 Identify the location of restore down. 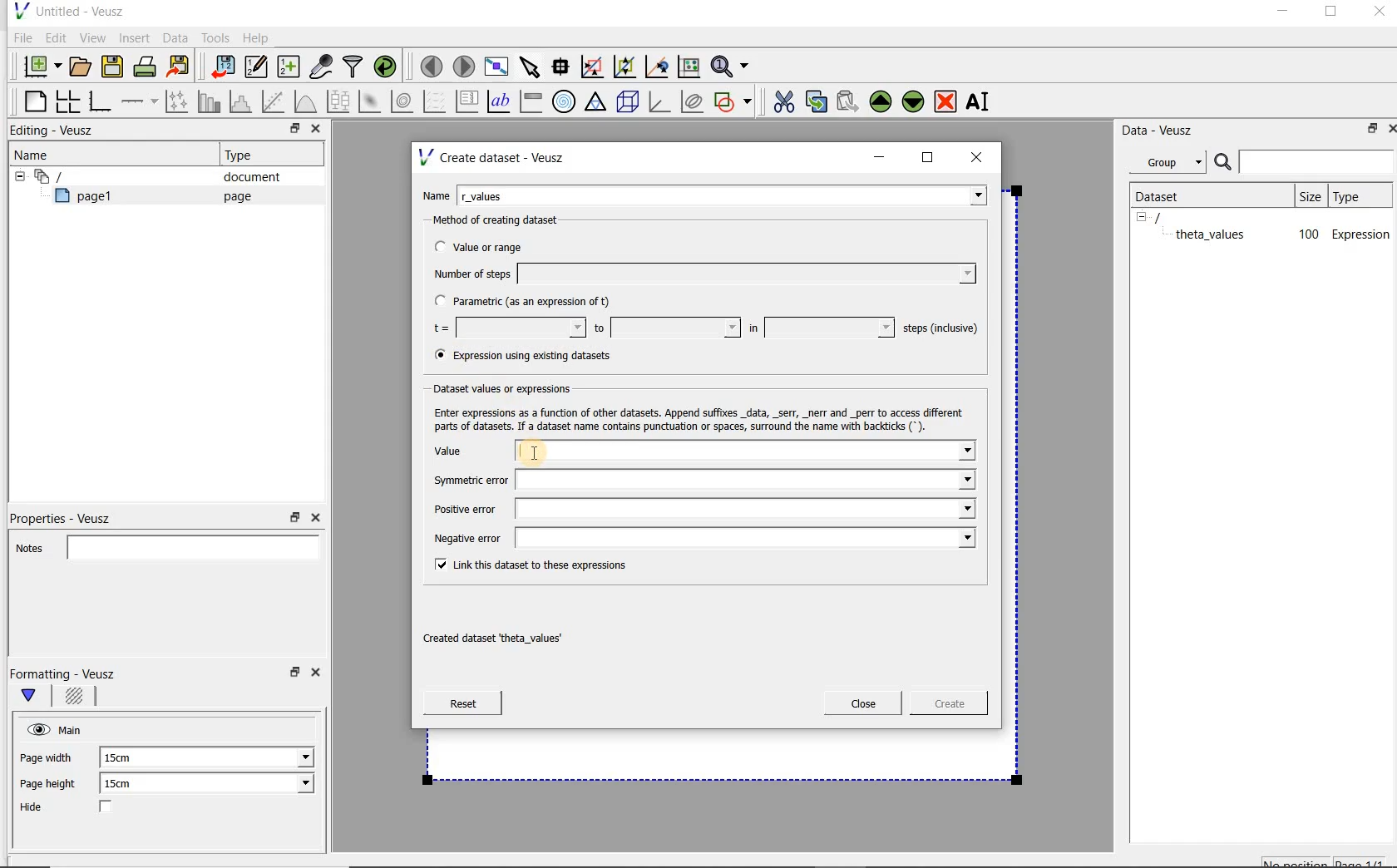
(290, 131).